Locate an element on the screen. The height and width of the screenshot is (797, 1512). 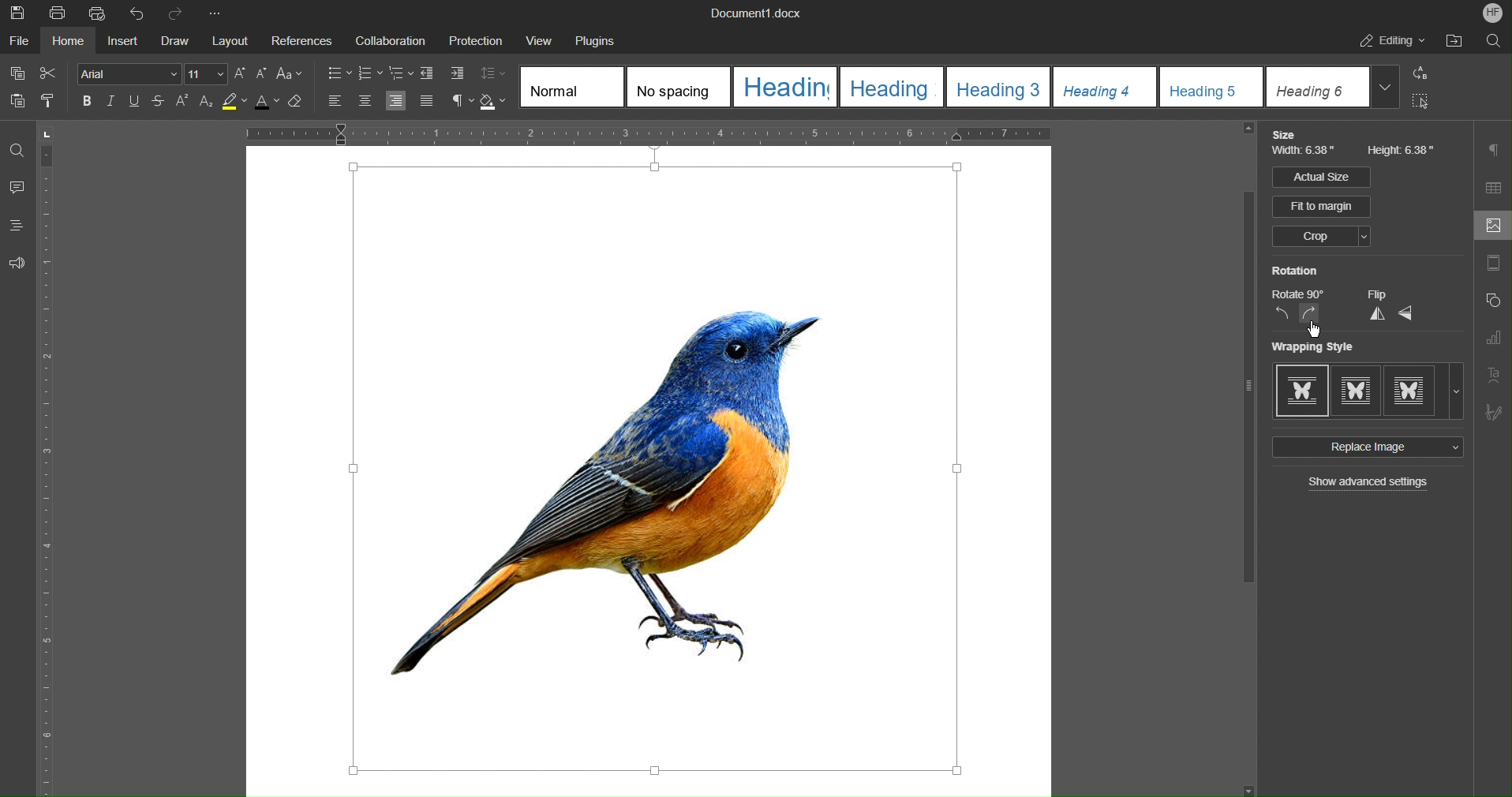
Increase Font Size is located at coordinates (240, 73).